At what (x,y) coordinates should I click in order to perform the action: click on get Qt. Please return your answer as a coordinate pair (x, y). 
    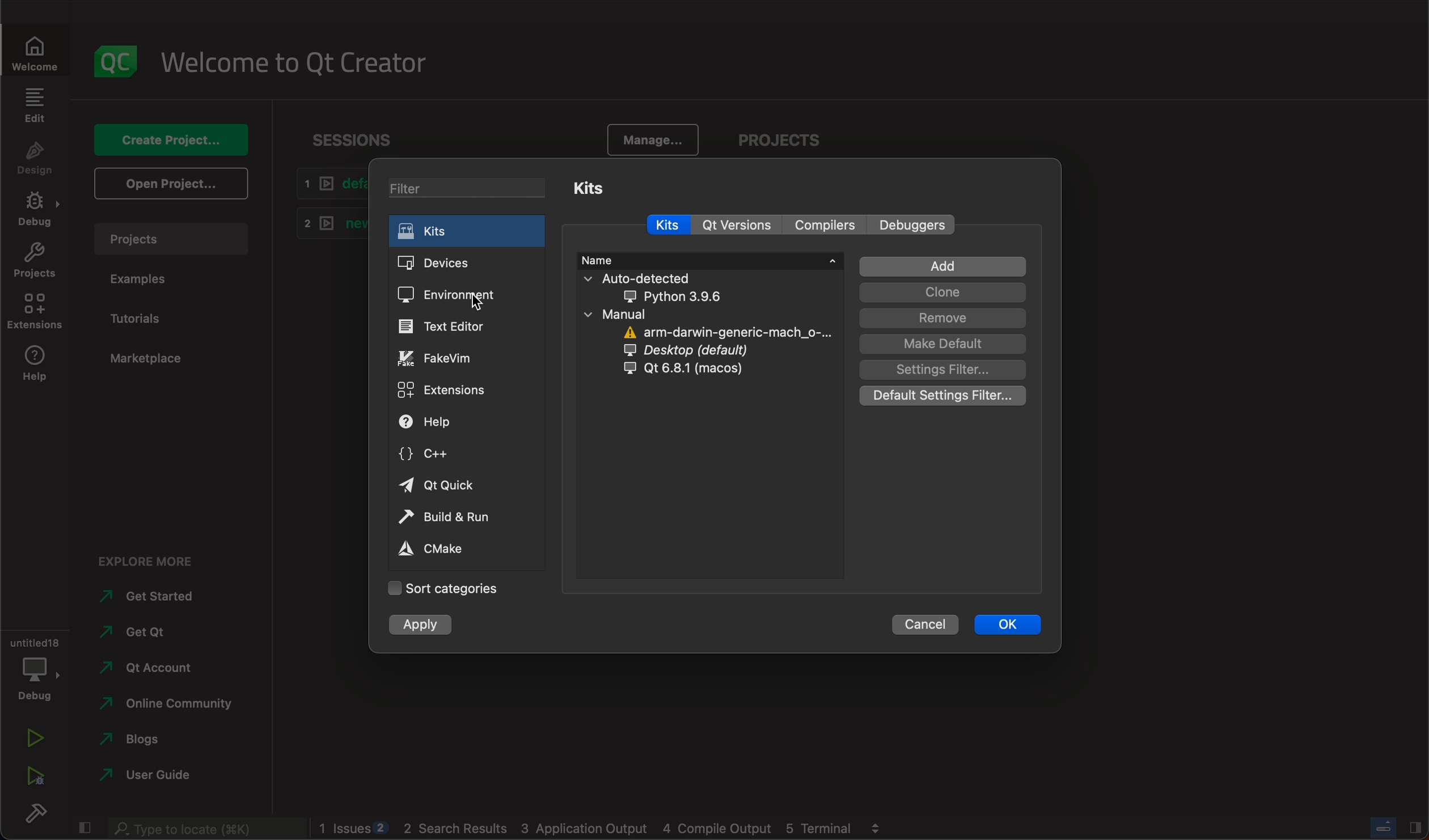
    Looking at the image, I should click on (163, 633).